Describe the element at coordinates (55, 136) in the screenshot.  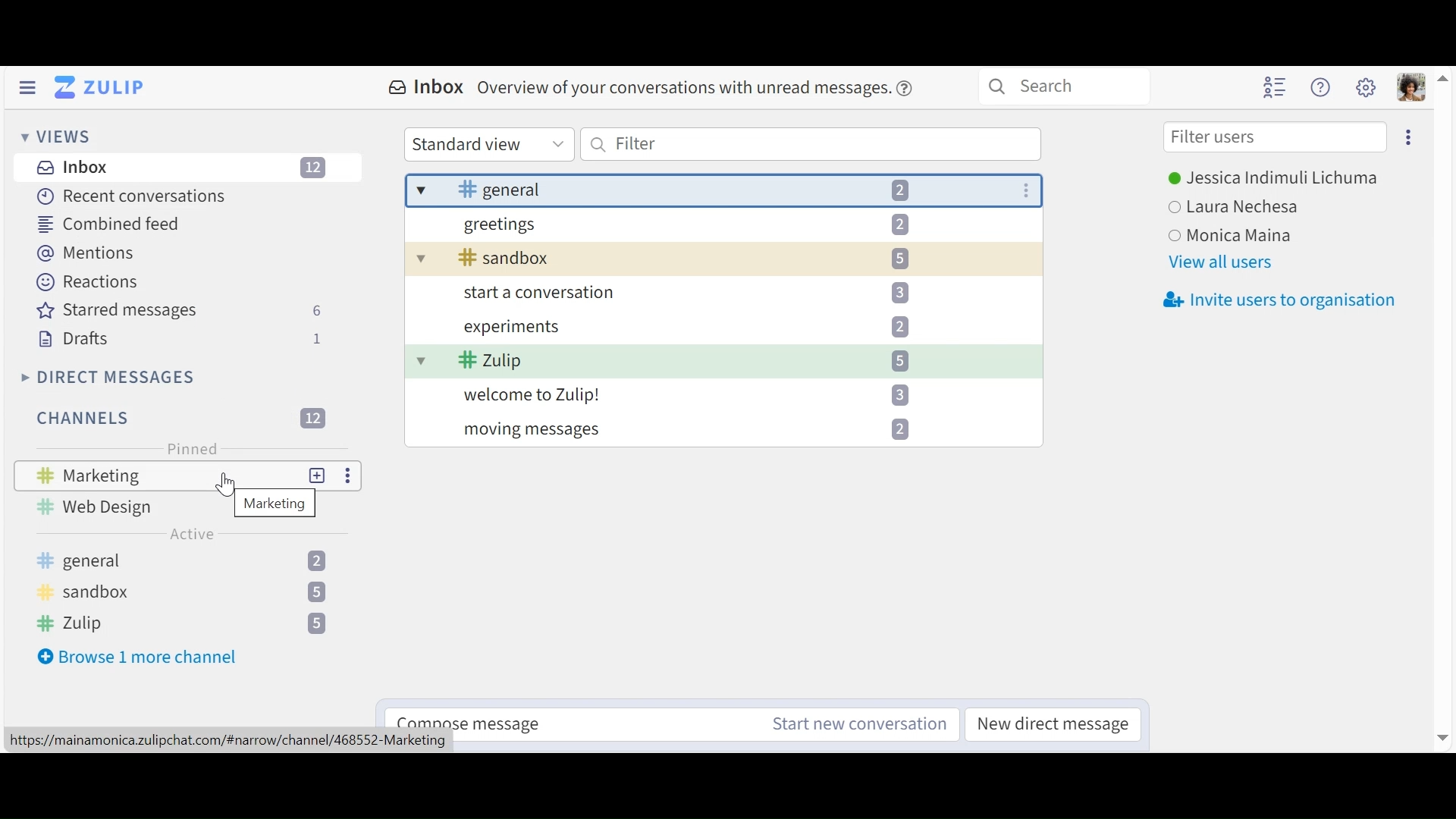
I see `Views` at that location.